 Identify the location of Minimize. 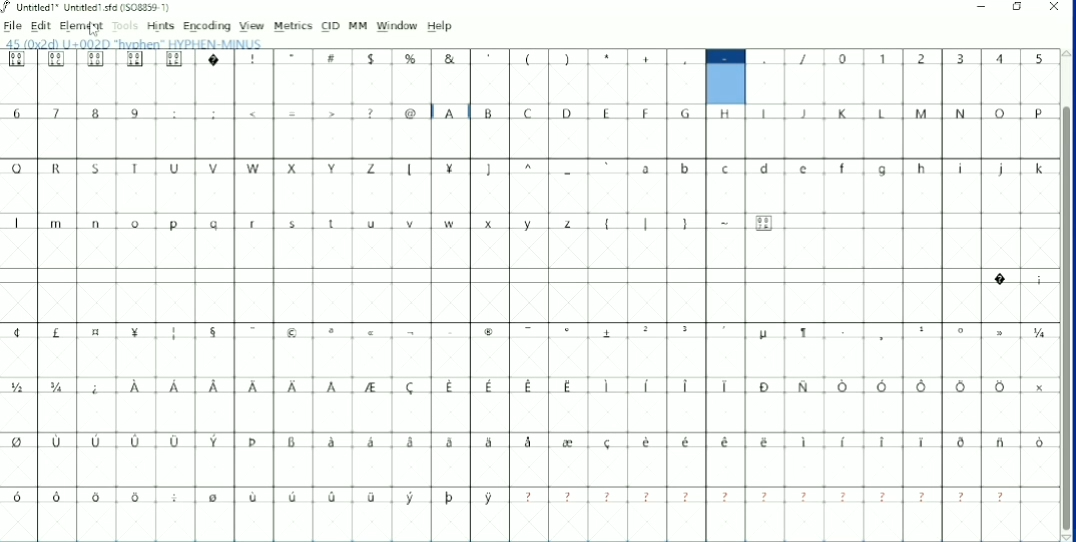
(983, 8).